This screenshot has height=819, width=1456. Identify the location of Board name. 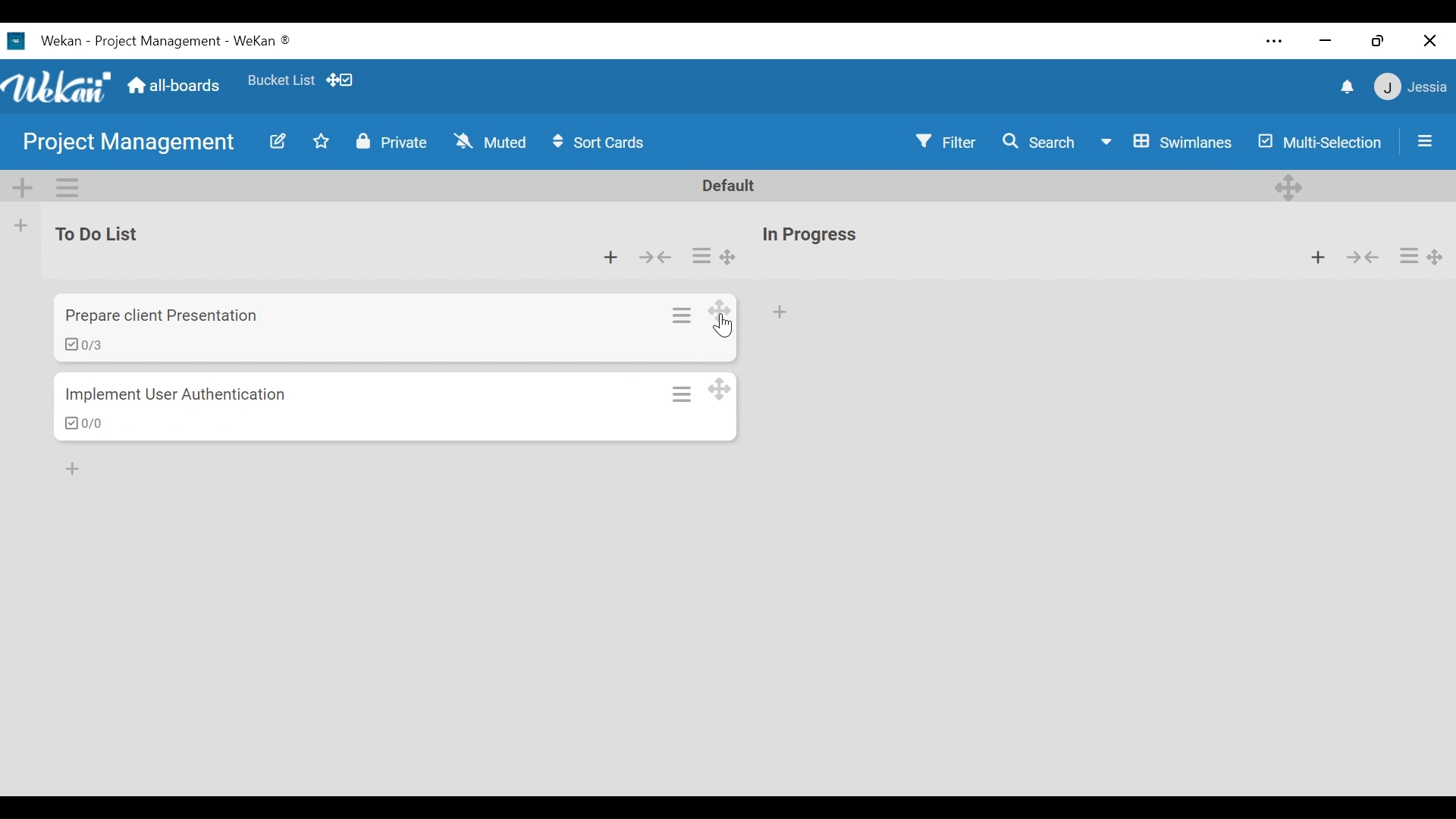
(127, 141).